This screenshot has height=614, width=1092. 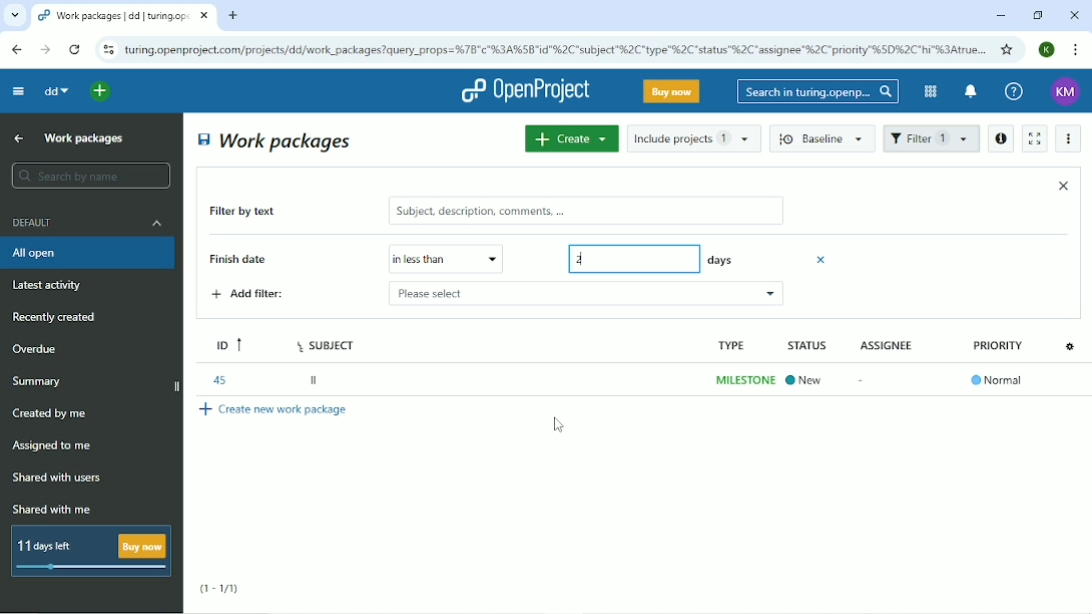 What do you see at coordinates (175, 388) in the screenshot?
I see `close side bar` at bounding box center [175, 388].